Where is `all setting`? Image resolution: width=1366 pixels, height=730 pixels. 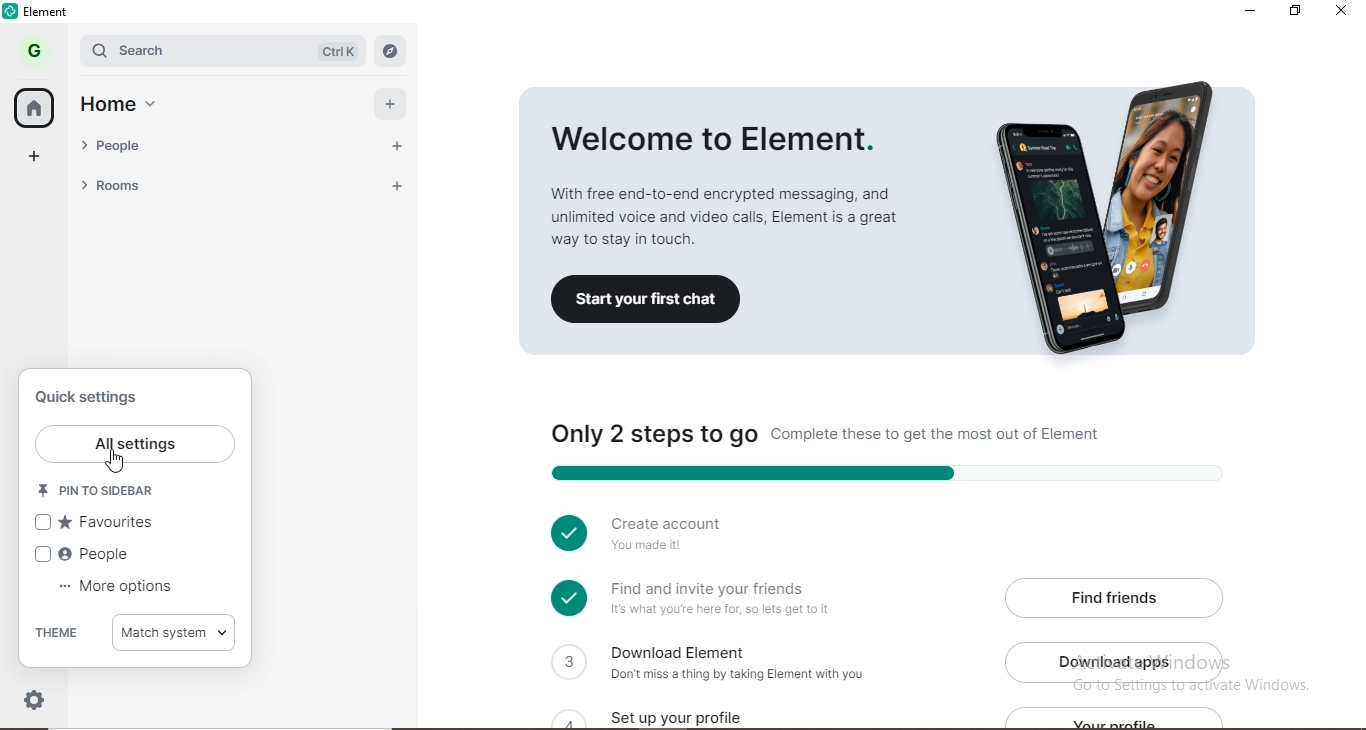
all setting is located at coordinates (136, 445).